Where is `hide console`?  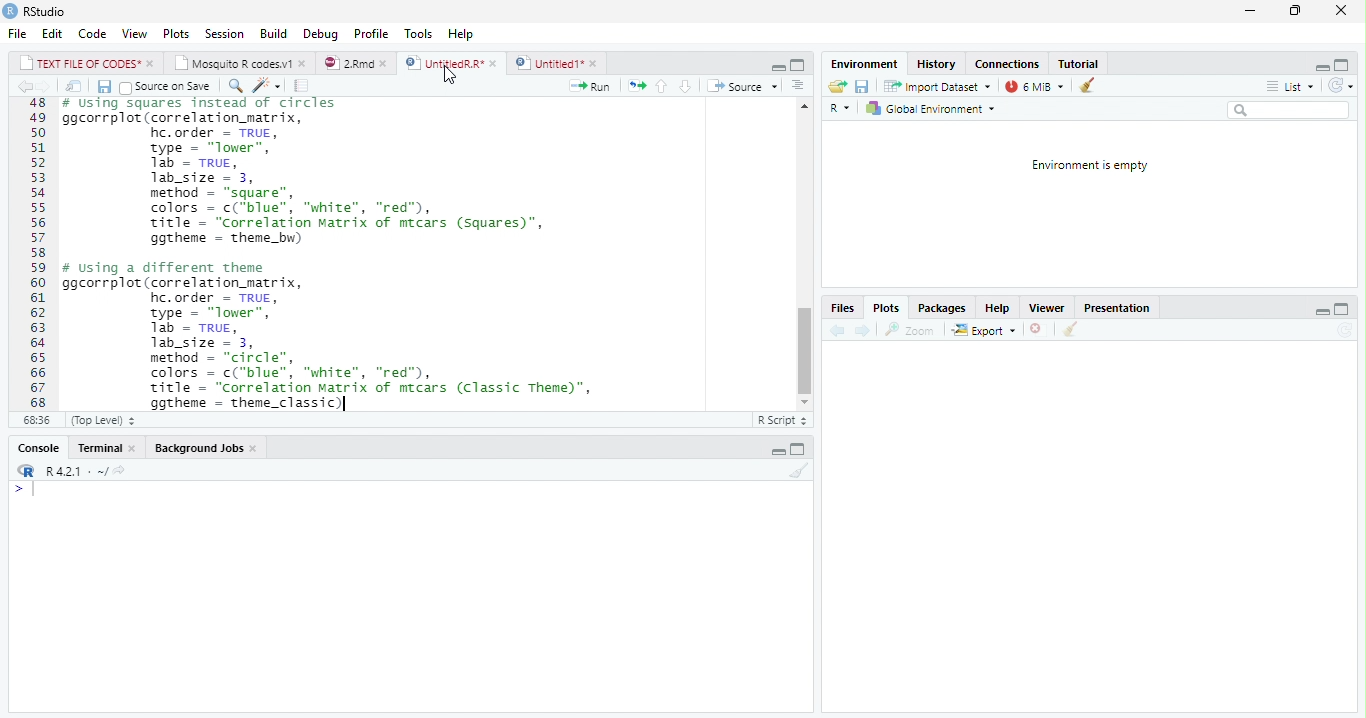 hide console is located at coordinates (1346, 65).